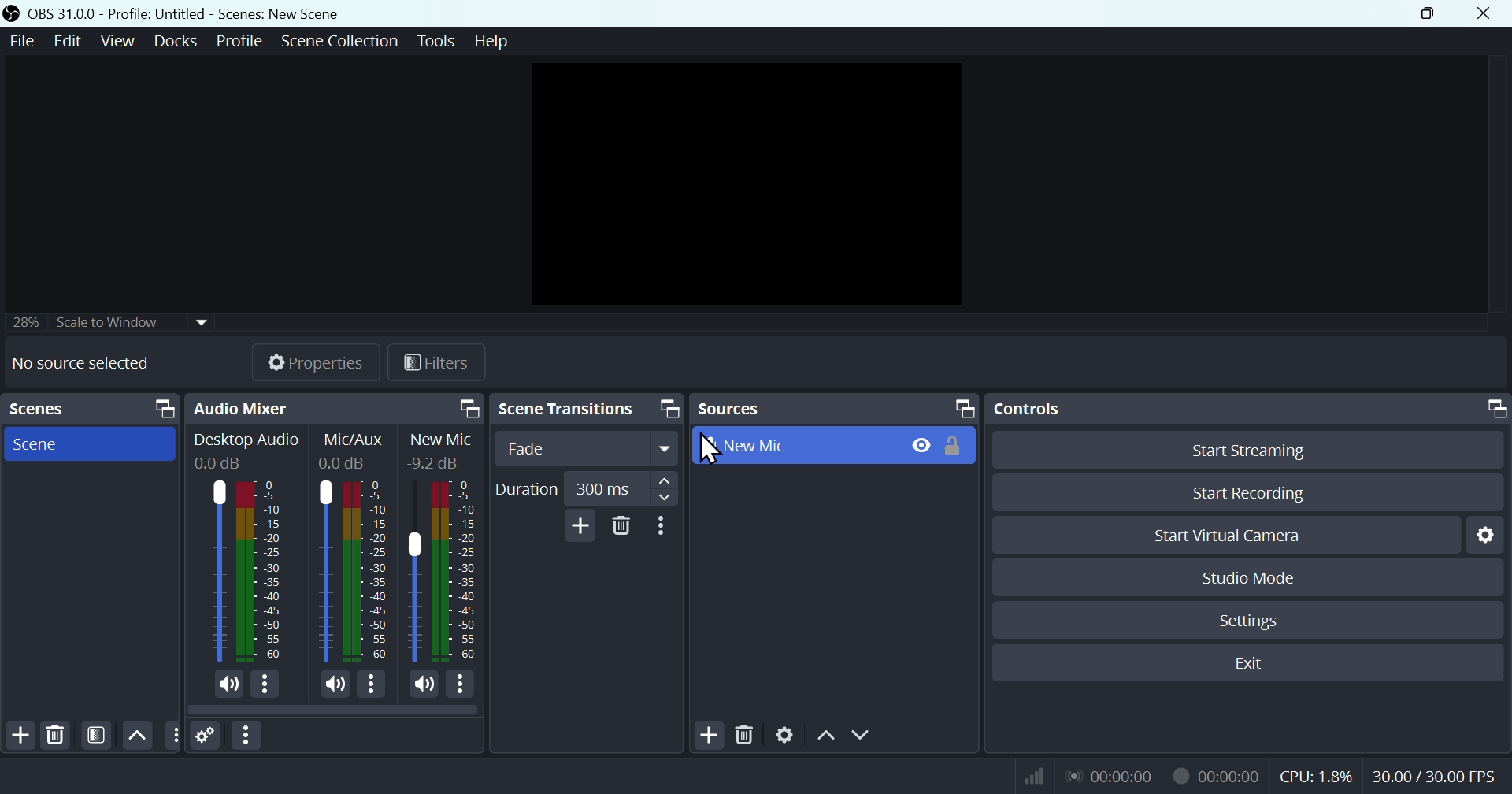 The image size is (1512, 794). I want to click on Add , so click(576, 528).